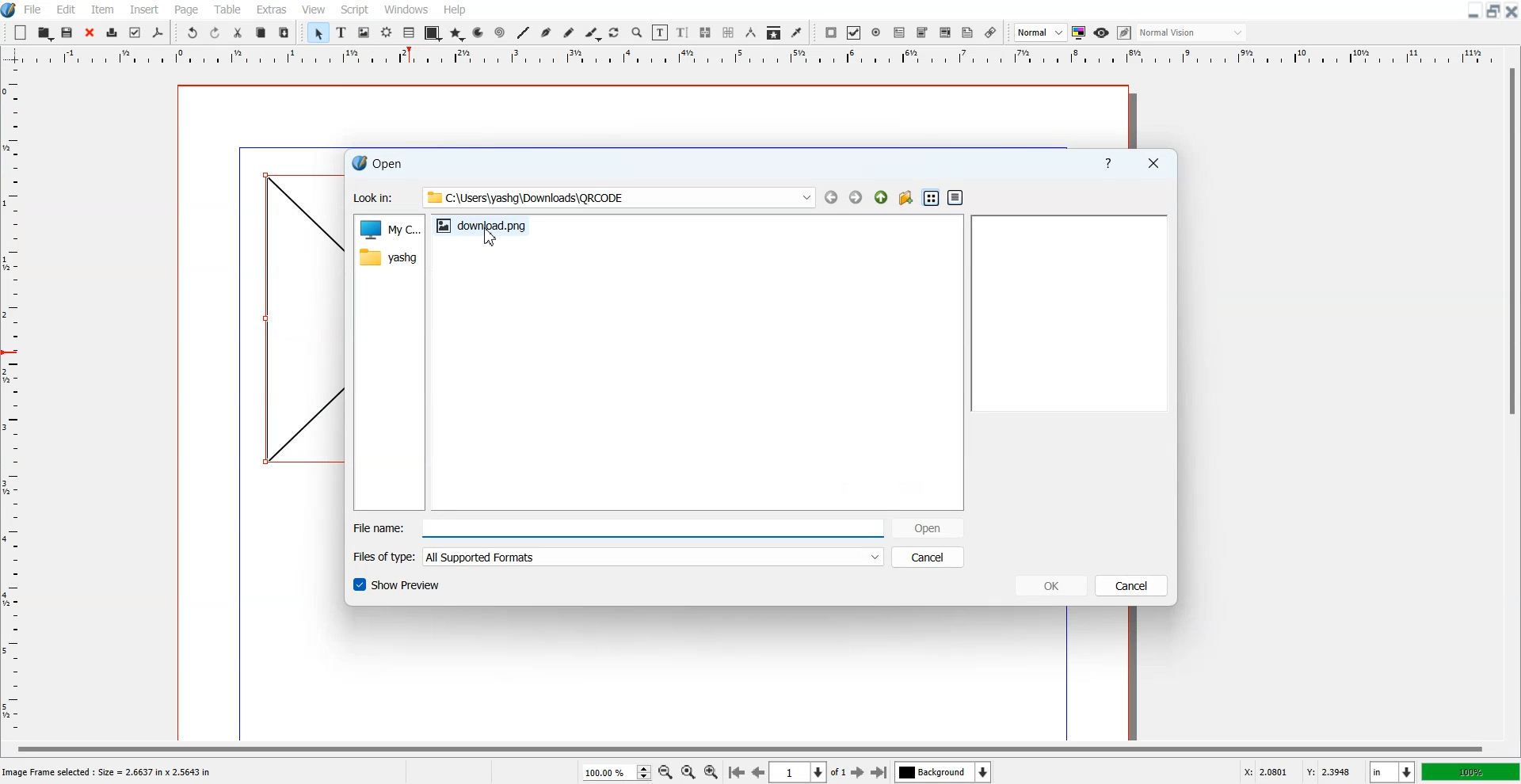  I want to click on download.png, so click(484, 233).